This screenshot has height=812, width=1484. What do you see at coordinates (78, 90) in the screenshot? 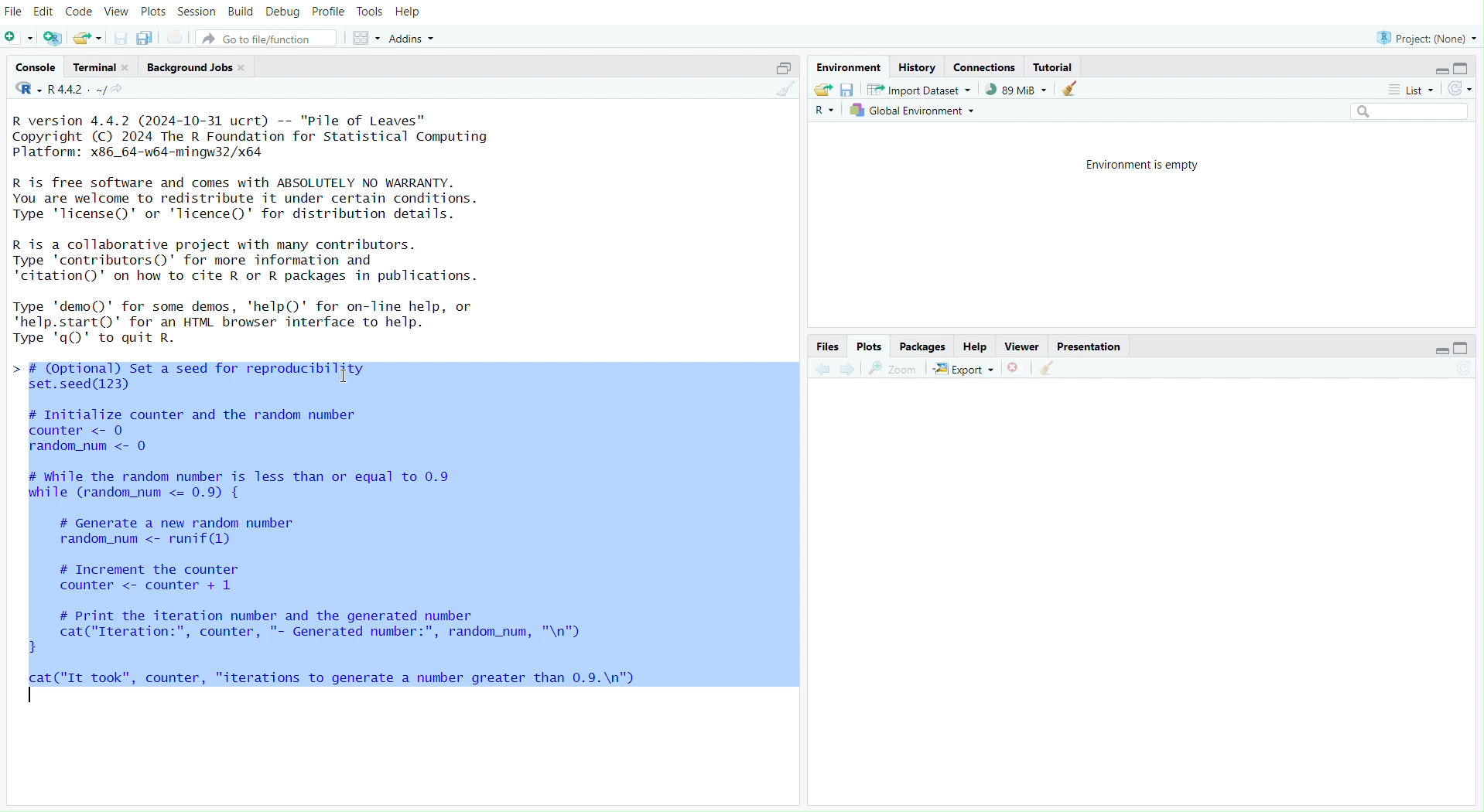
I see `R.4.4.2~/` at bounding box center [78, 90].